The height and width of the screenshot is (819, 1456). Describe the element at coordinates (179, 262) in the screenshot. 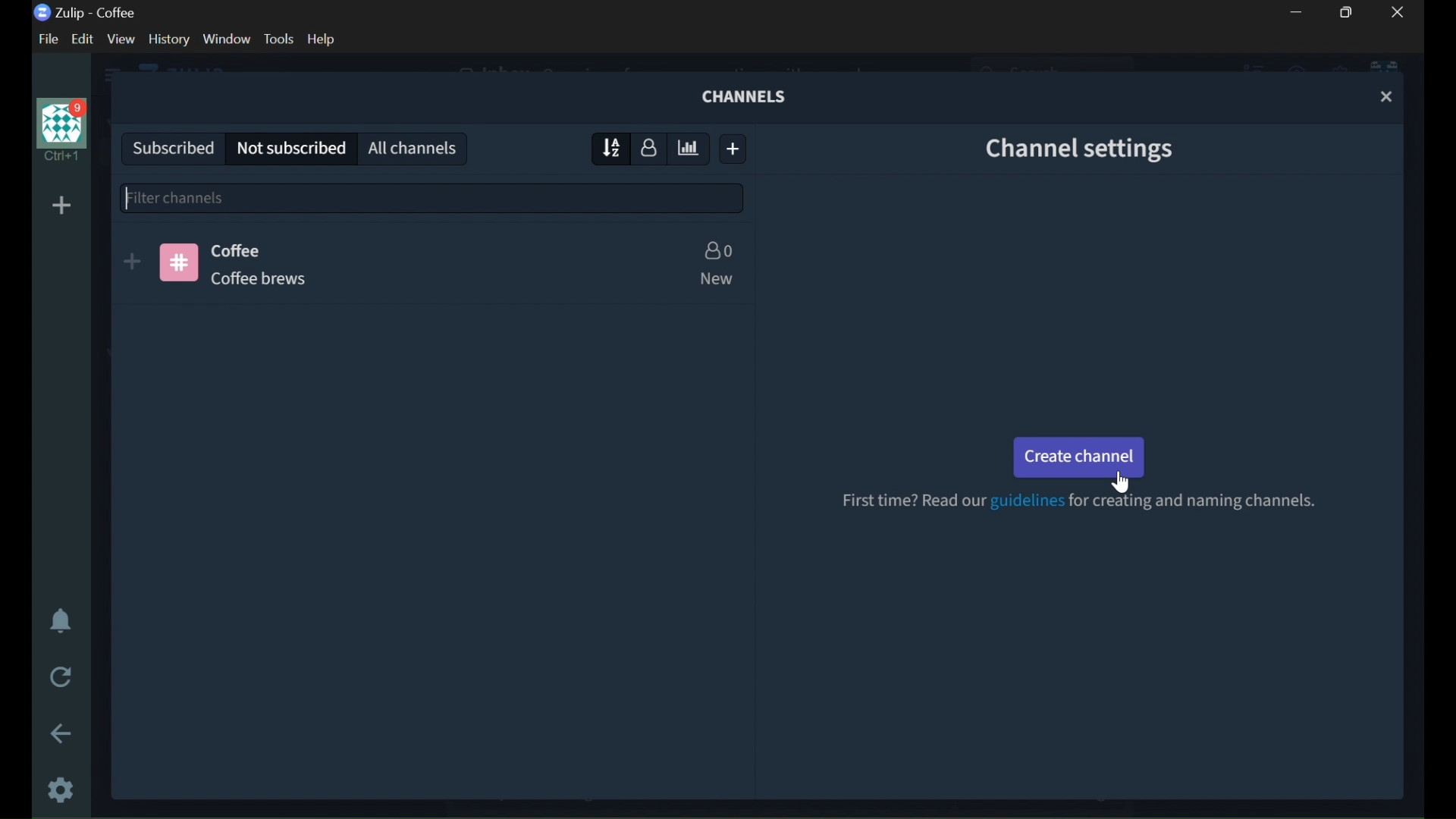

I see `CHANNEL LOGO` at that location.